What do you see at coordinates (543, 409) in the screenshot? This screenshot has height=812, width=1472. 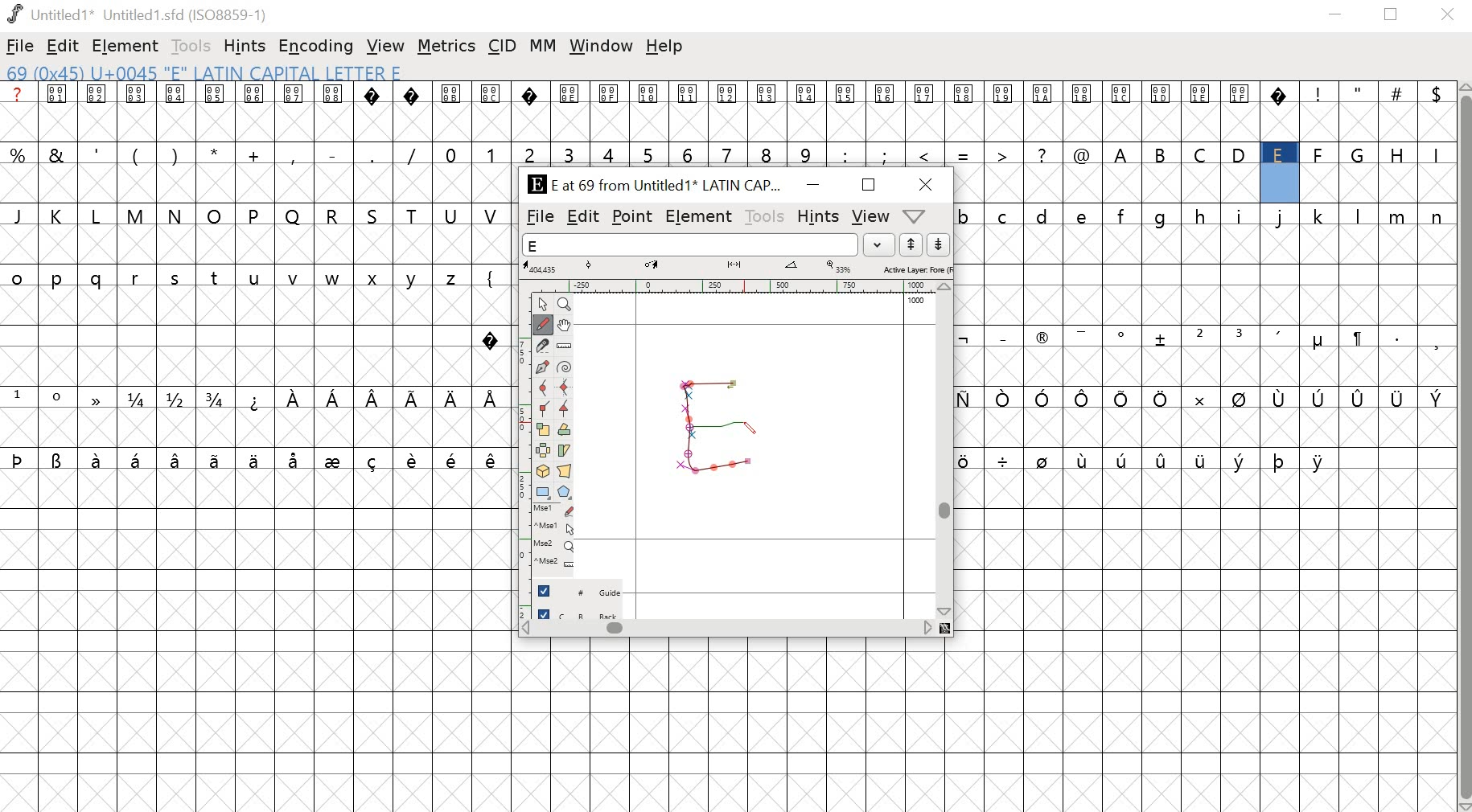 I see `Corner` at bounding box center [543, 409].